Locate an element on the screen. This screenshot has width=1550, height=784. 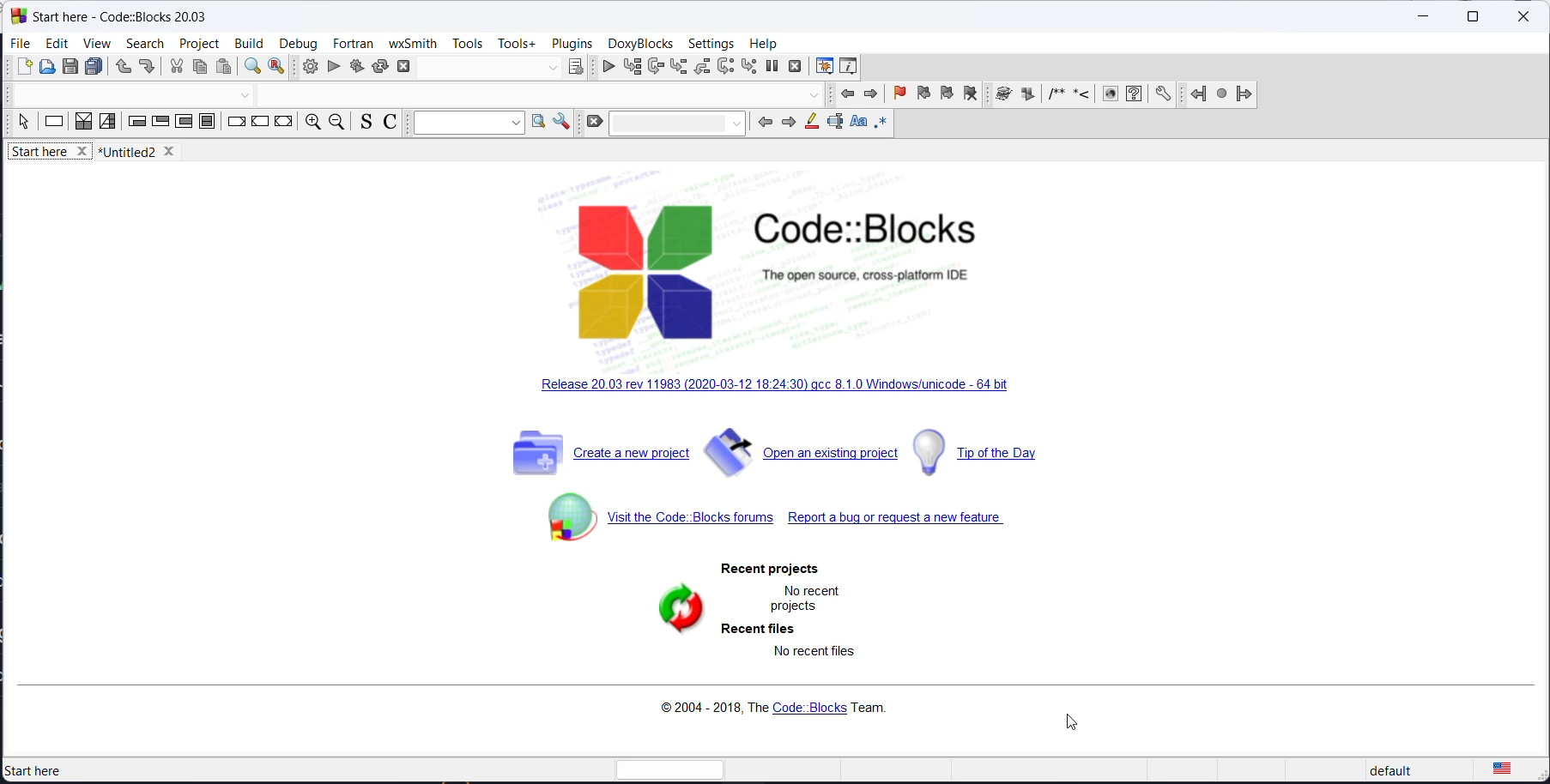
find is located at coordinates (251, 69).